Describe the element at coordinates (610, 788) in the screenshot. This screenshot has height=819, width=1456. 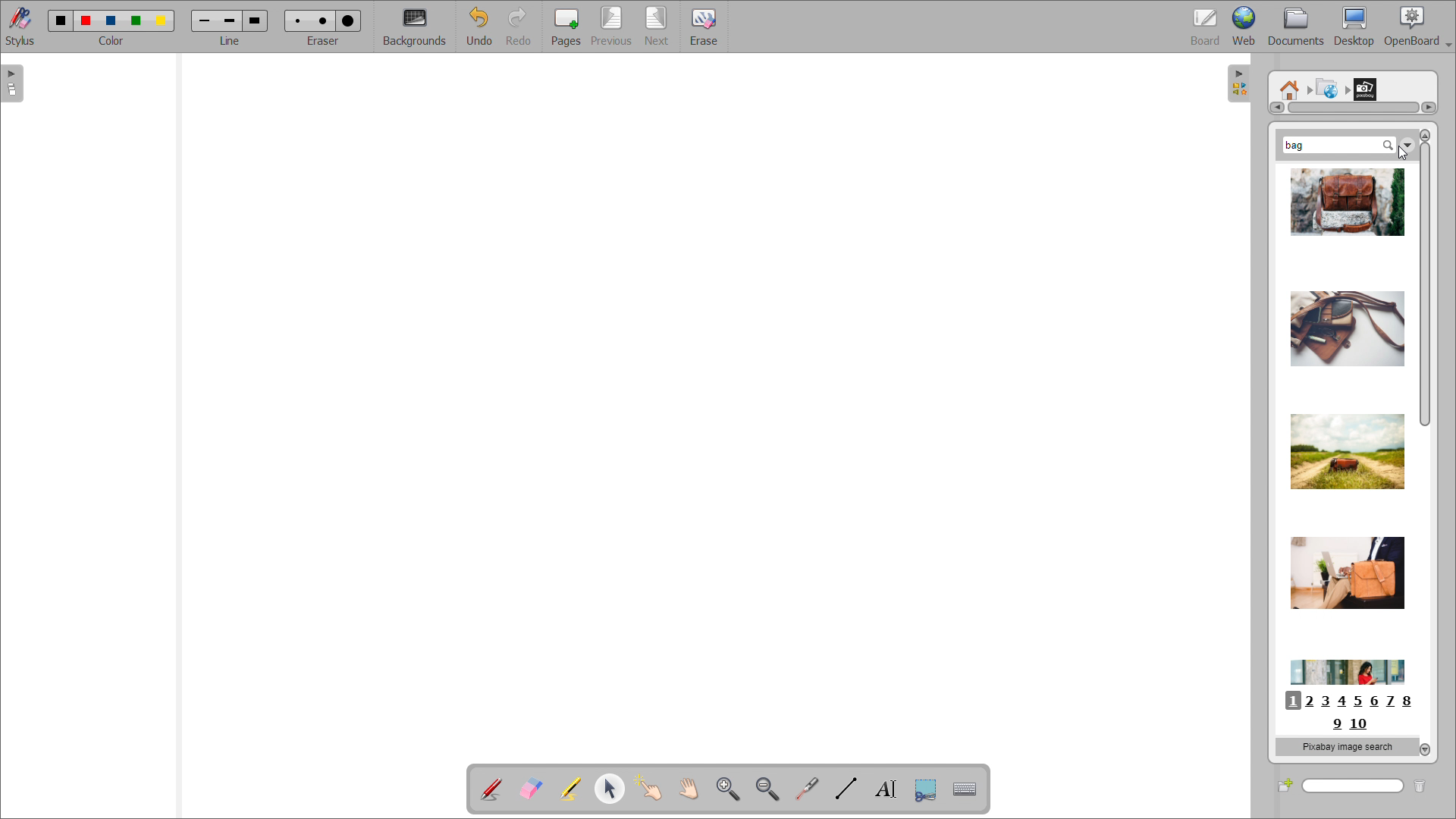
I see `select object and modify` at that location.